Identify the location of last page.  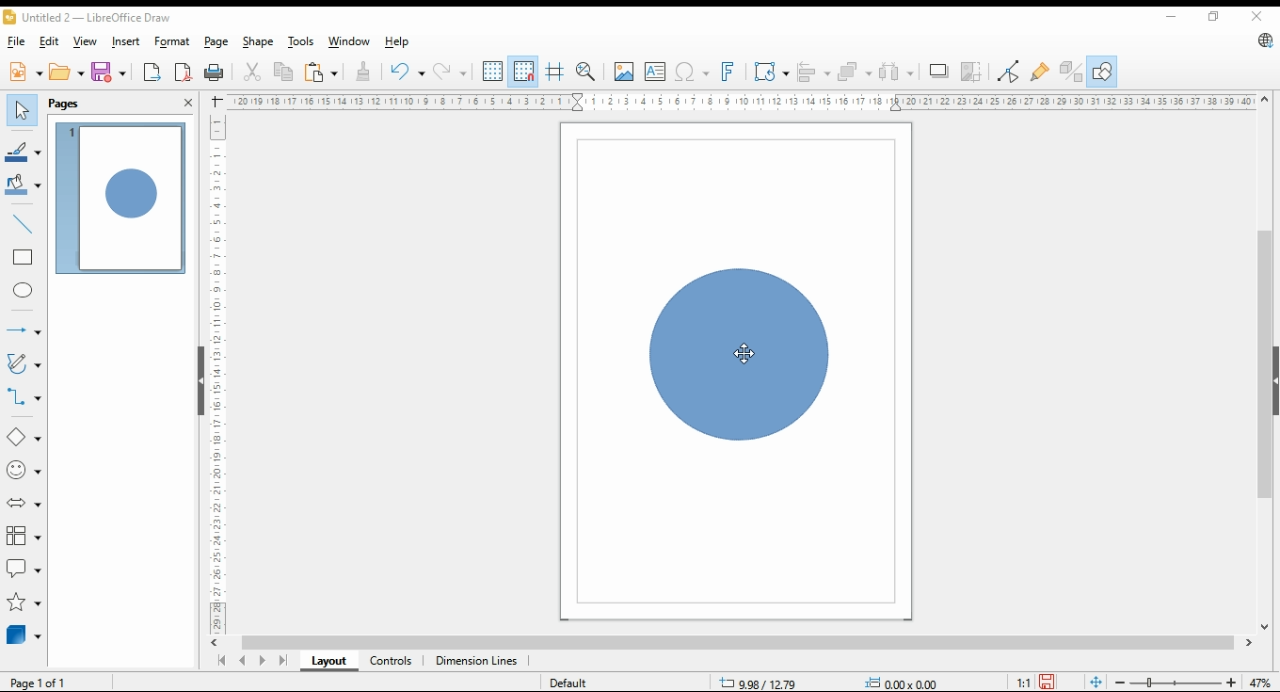
(281, 660).